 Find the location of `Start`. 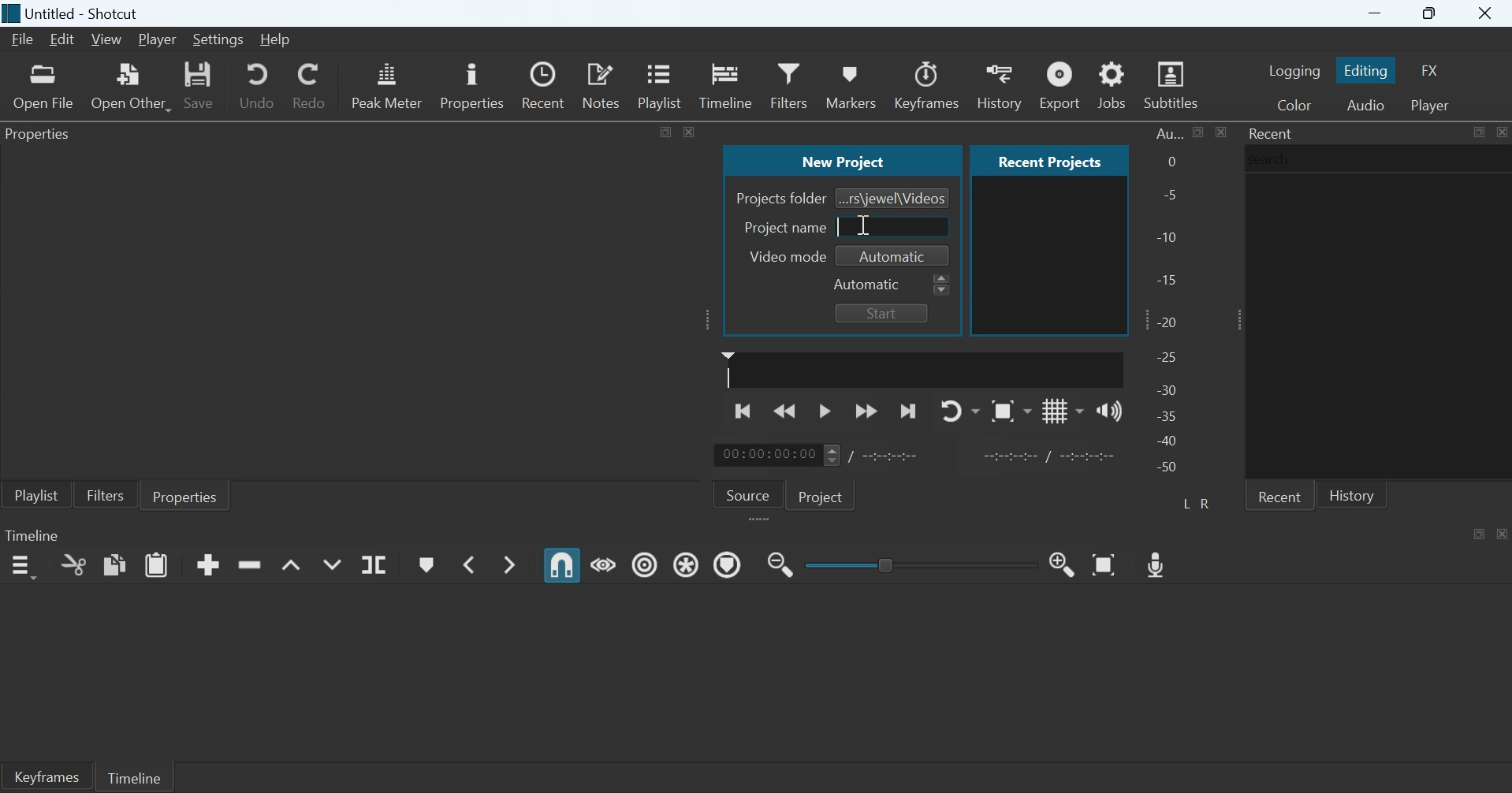

Start is located at coordinates (881, 313).